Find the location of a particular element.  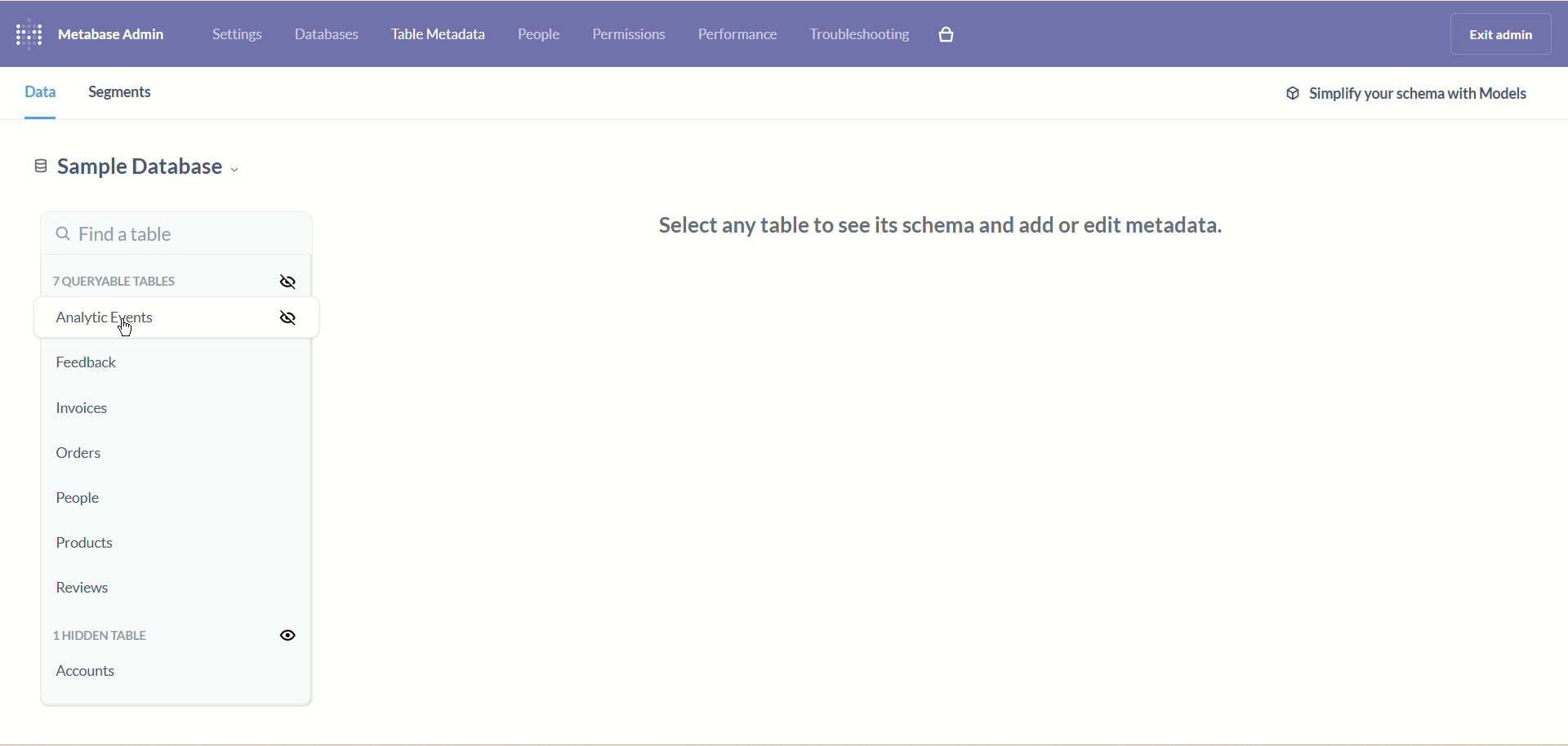

Settings is located at coordinates (238, 34).